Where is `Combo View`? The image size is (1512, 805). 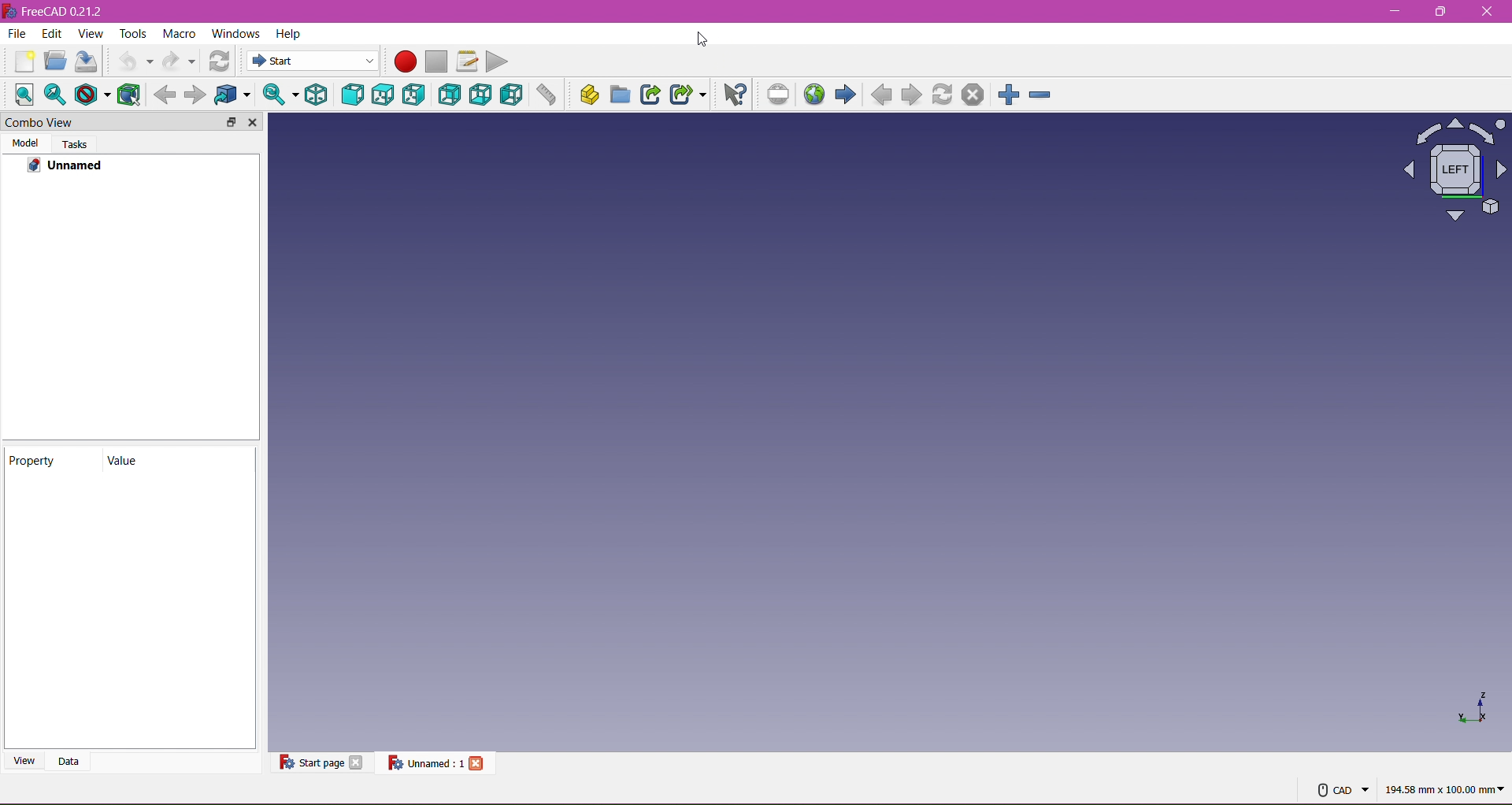
Combo View is located at coordinates (41, 122).